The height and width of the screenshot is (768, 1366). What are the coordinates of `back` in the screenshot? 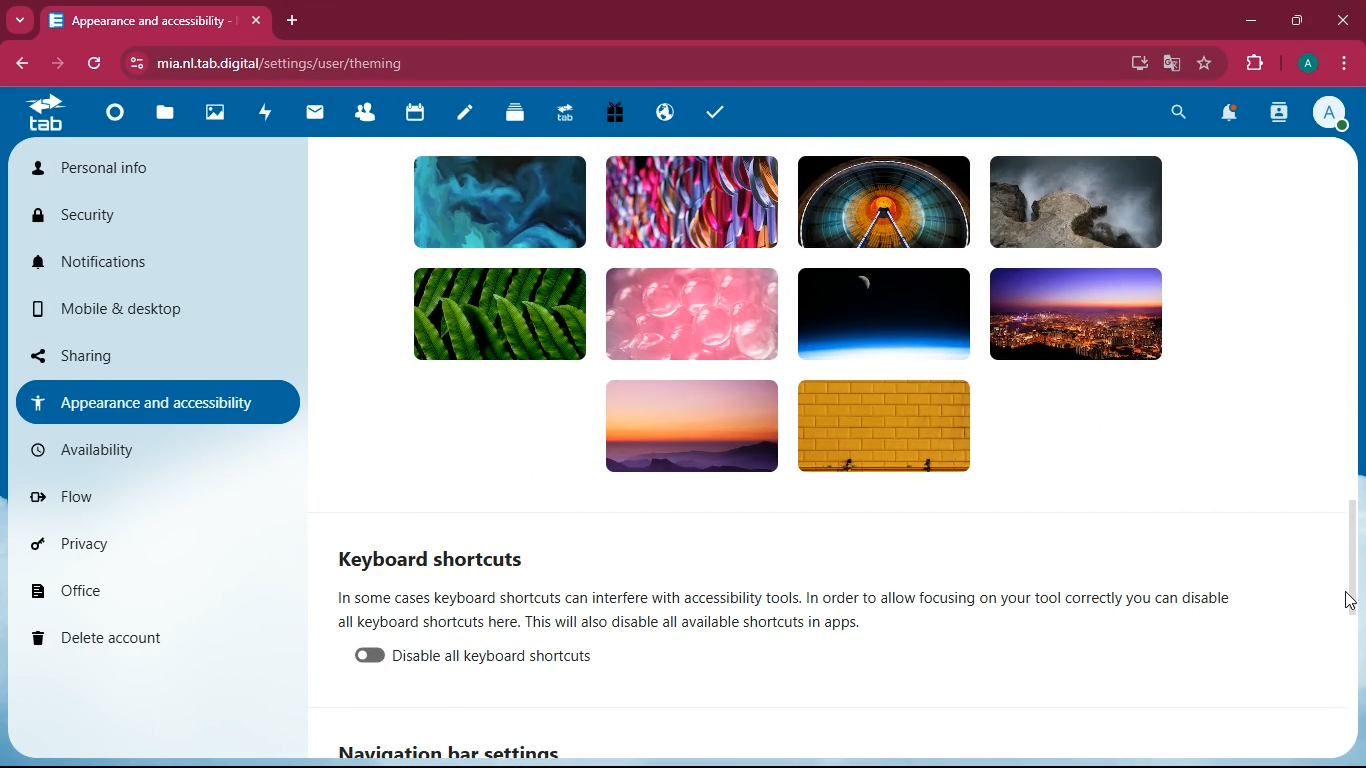 It's located at (16, 63).